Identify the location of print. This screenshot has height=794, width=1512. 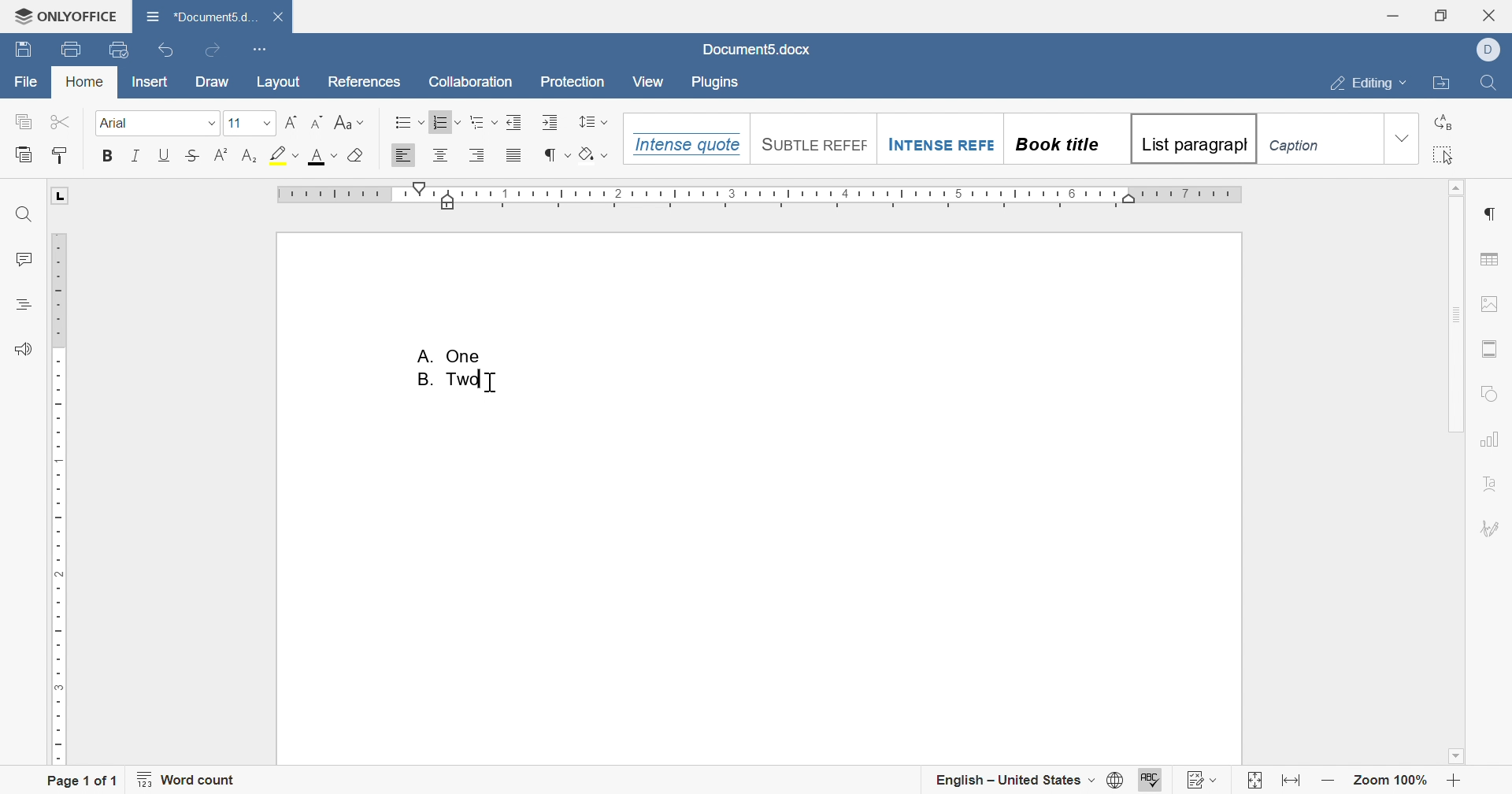
(73, 47).